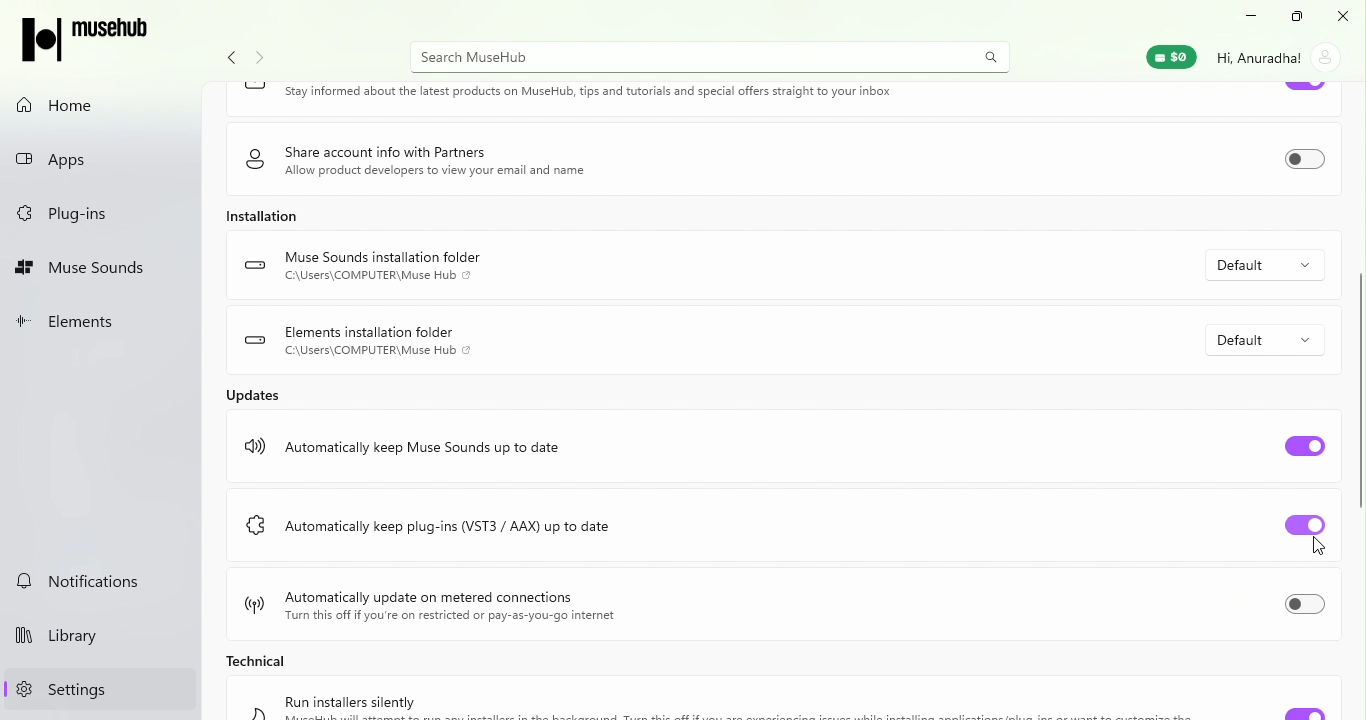 This screenshot has width=1366, height=720. I want to click on Automatically keep Muse Sounds up to date, so click(427, 448).